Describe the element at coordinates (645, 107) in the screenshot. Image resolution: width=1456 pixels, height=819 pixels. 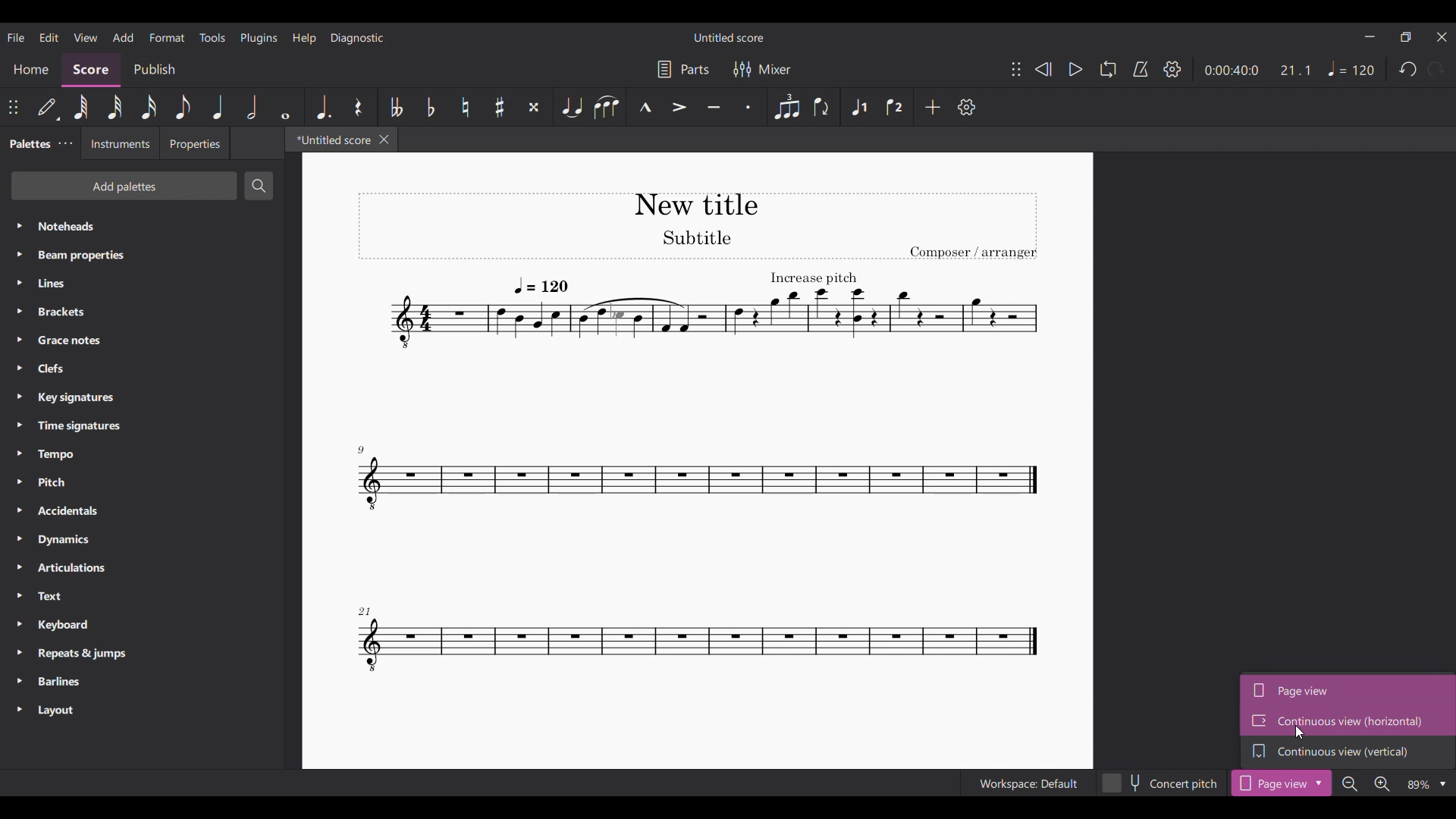
I see `Marcato` at that location.